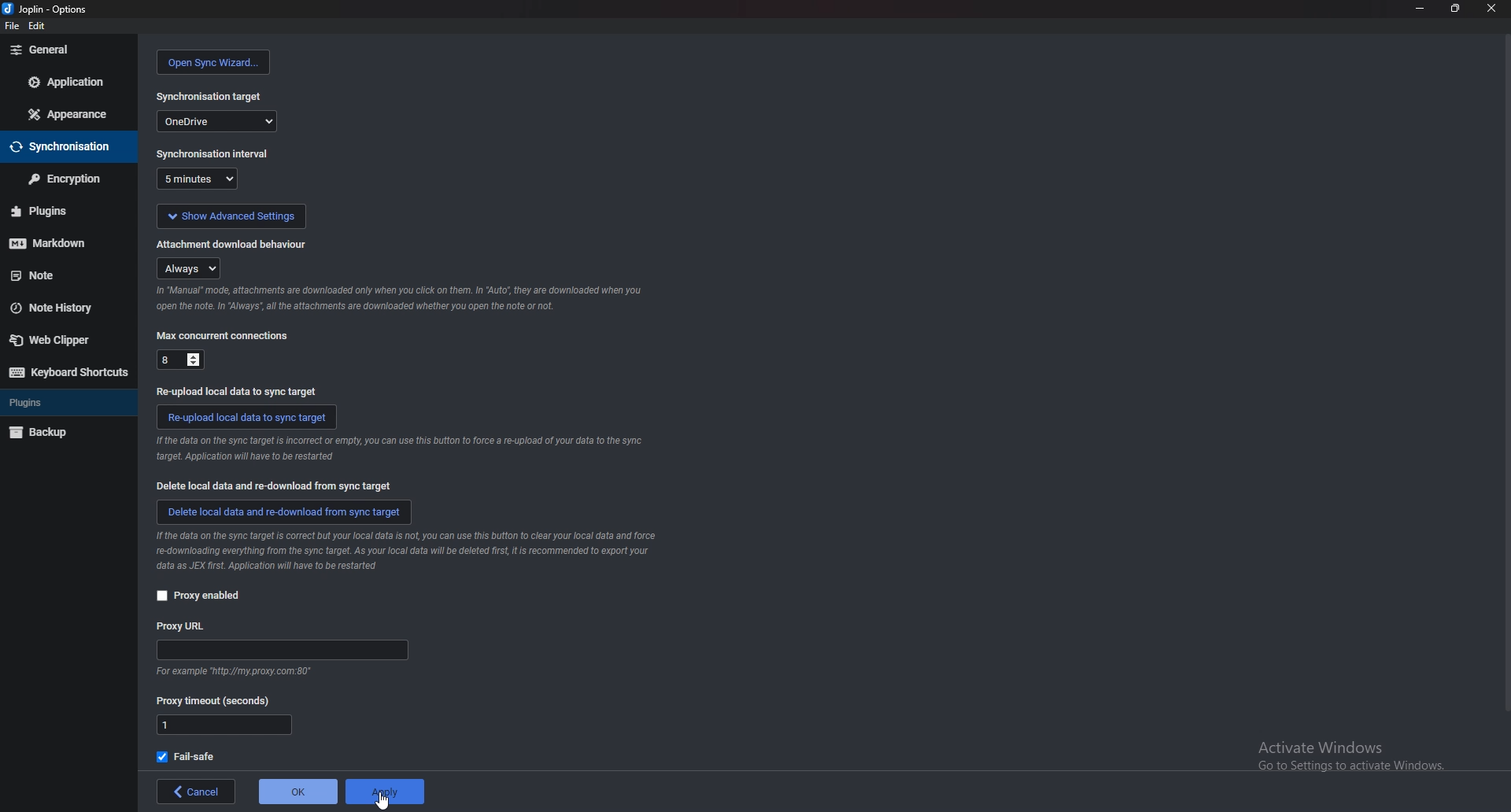 The width and height of the screenshot is (1511, 812). What do you see at coordinates (68, 50) in the screenshot?
I see `general` at bounding box center [68, 50].